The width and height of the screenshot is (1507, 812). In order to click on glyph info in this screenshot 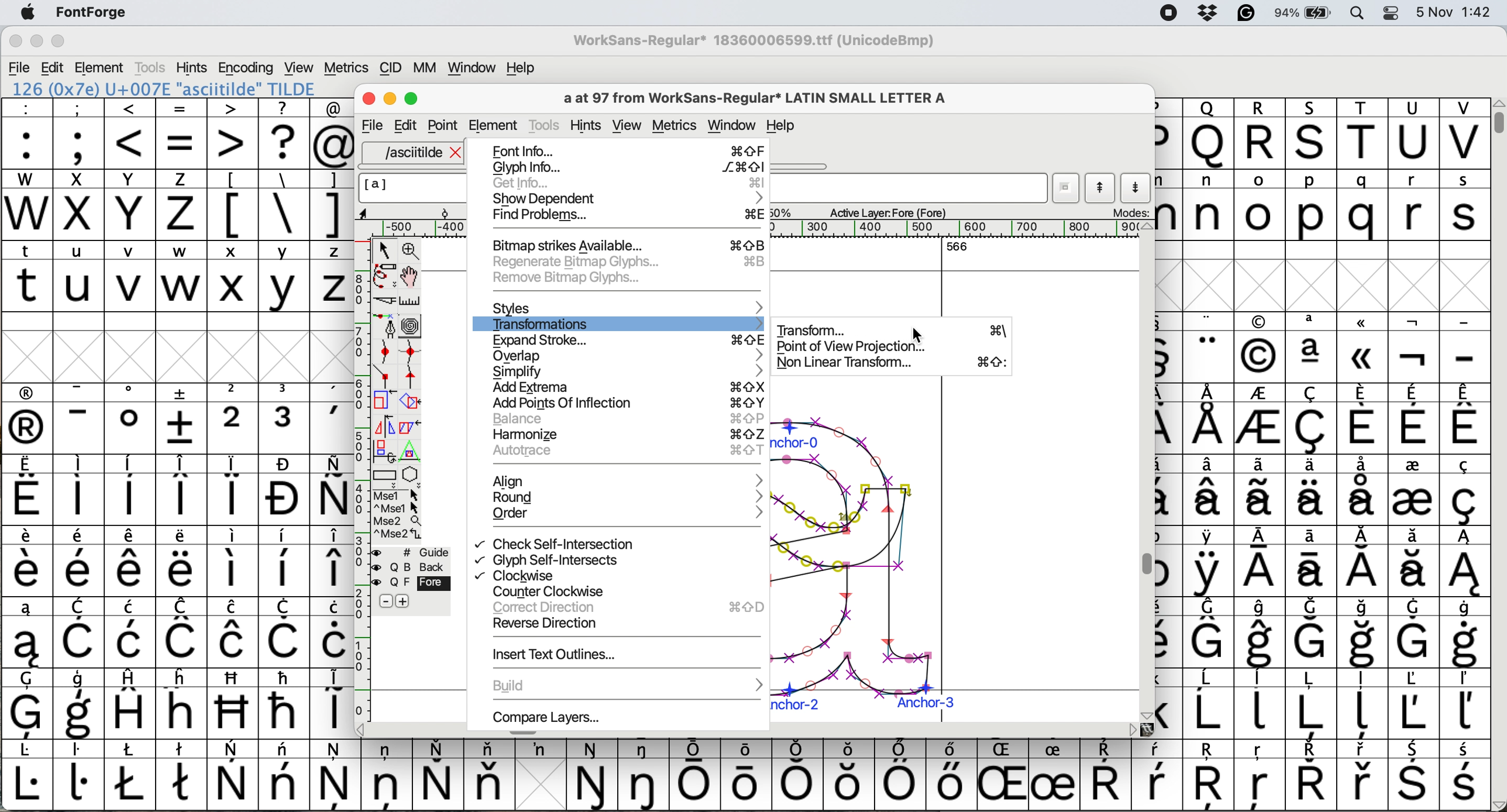, I will do `click(628, 167)`.